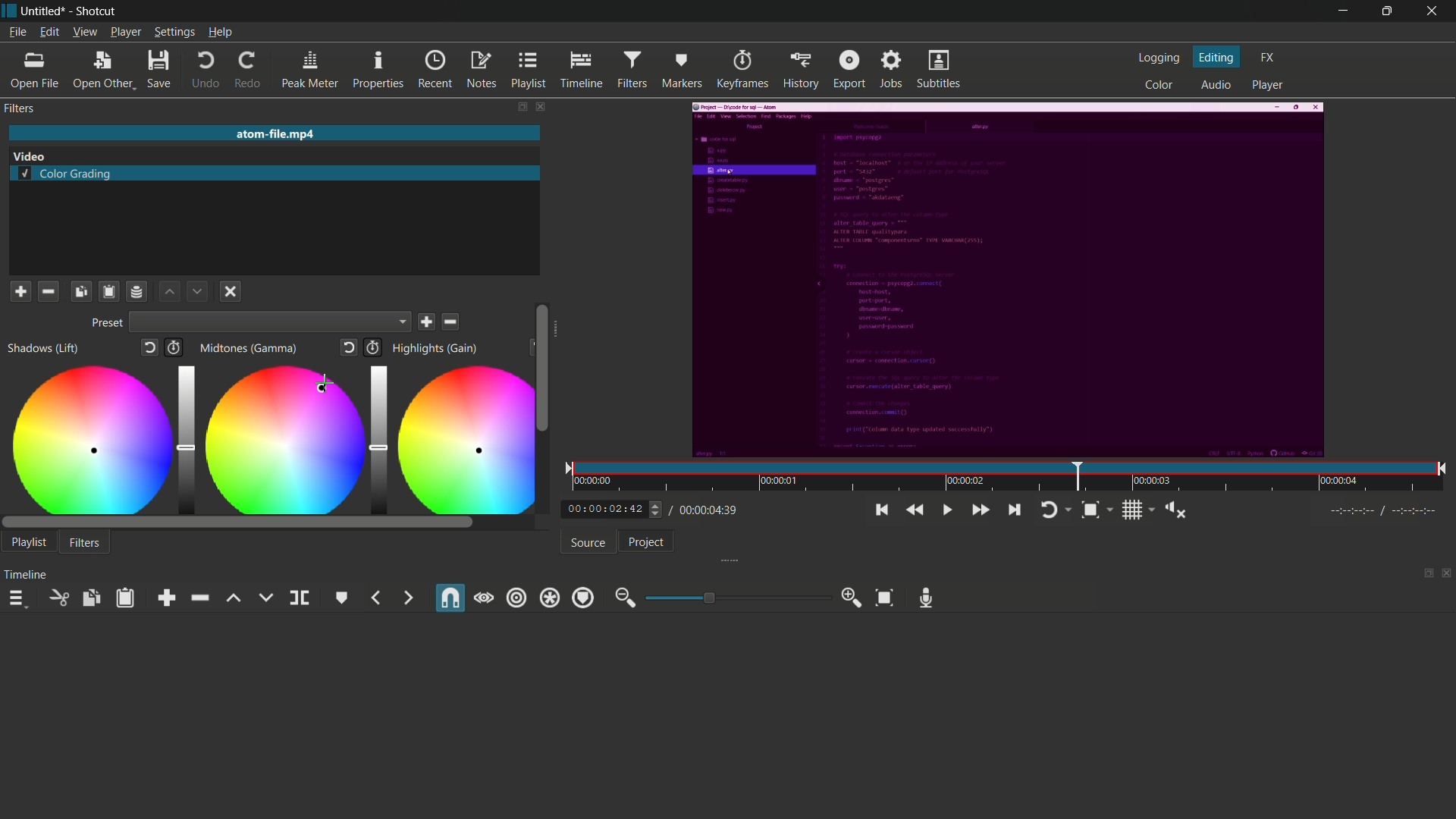  What do you see at coordinates (375, 436) in the screenshot?
I see `adjustment bar` at bounding box center [375, 436].